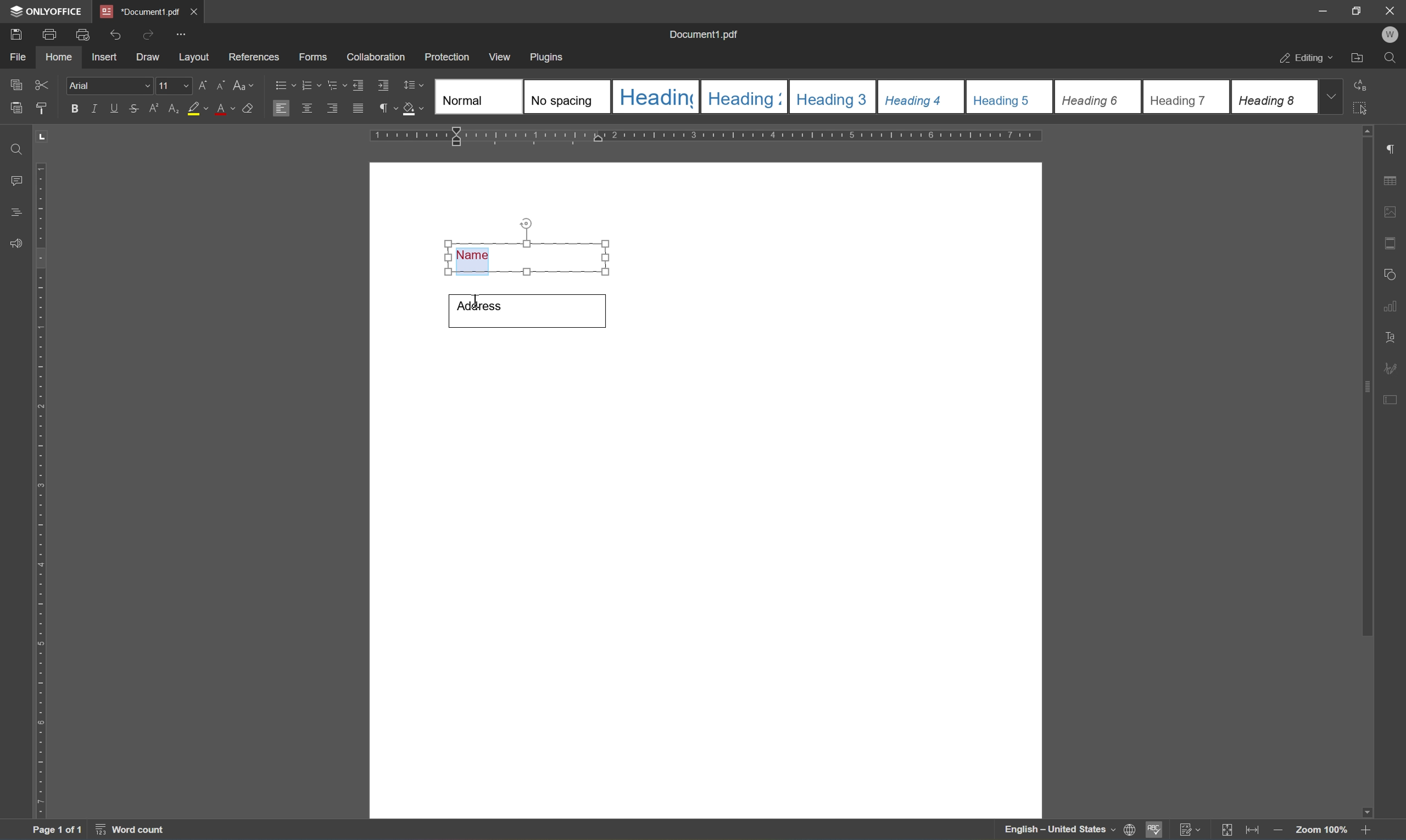  What do you see at coordinates (1393, 272) in the screenshot?
I see `shape settings` at bounding box center [1393, 272].